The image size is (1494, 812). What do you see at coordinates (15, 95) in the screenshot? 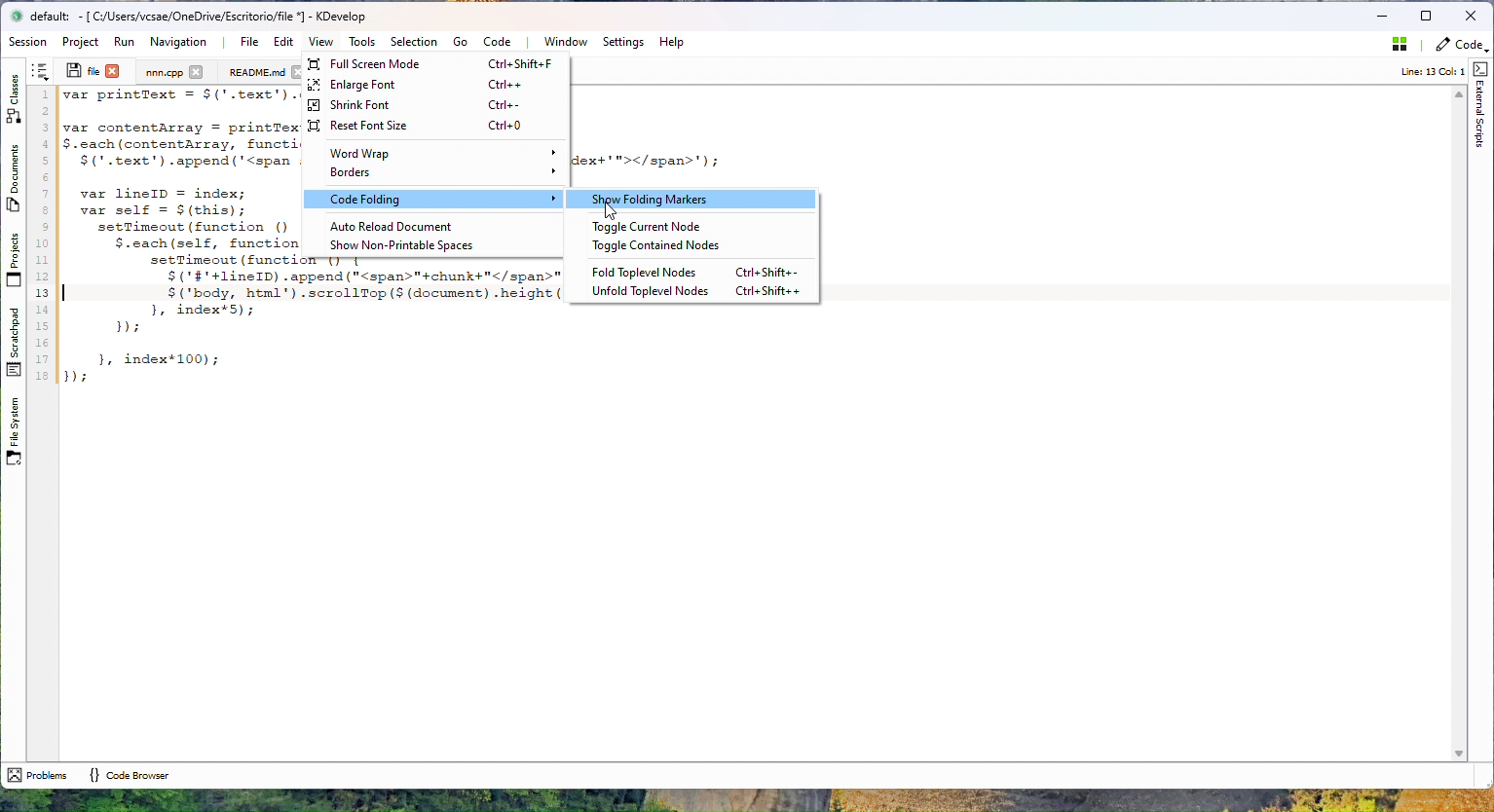
I see `Class` at bounding box center [15, 95].